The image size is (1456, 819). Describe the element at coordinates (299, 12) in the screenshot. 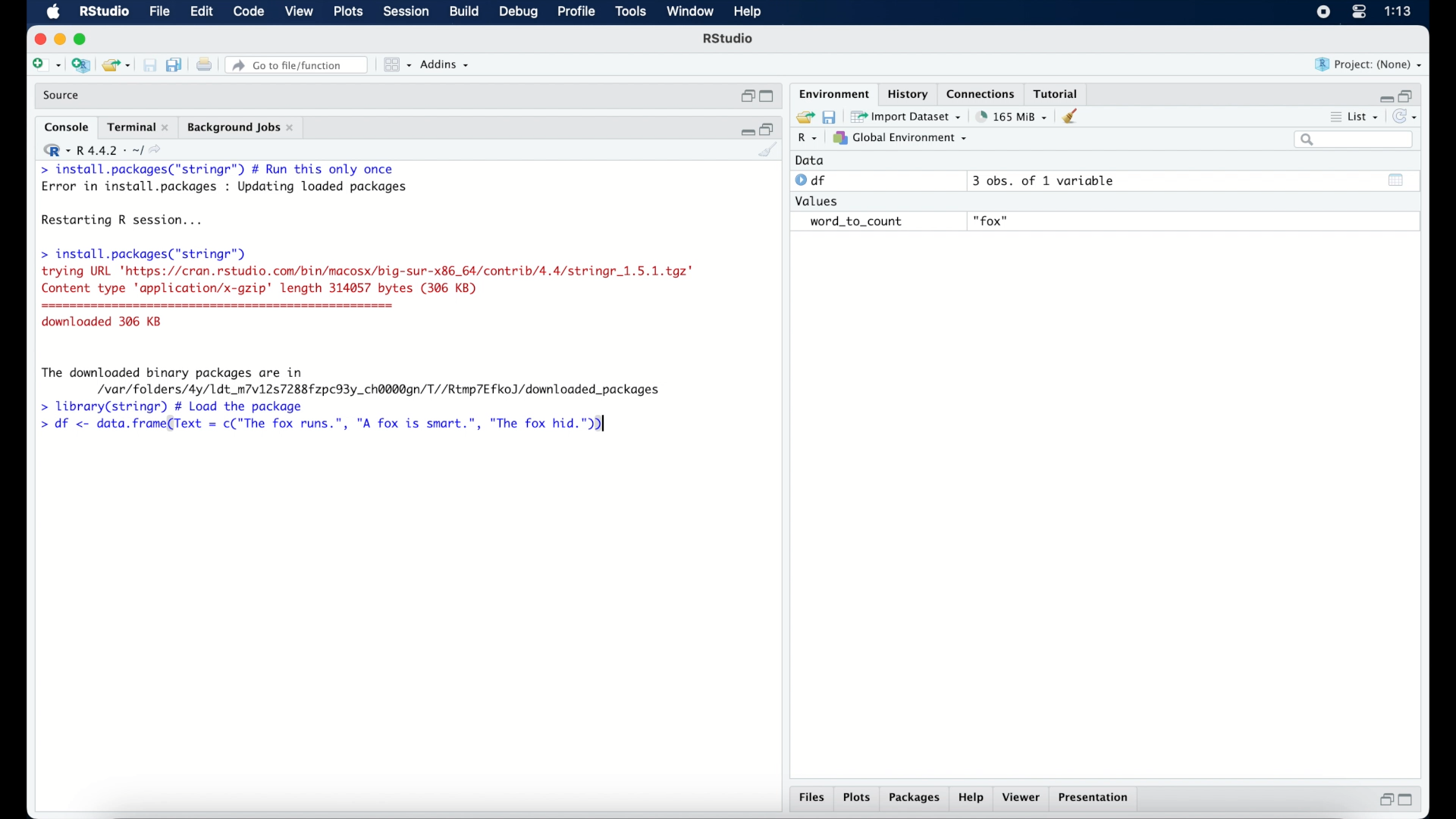

I see `view` at that location.